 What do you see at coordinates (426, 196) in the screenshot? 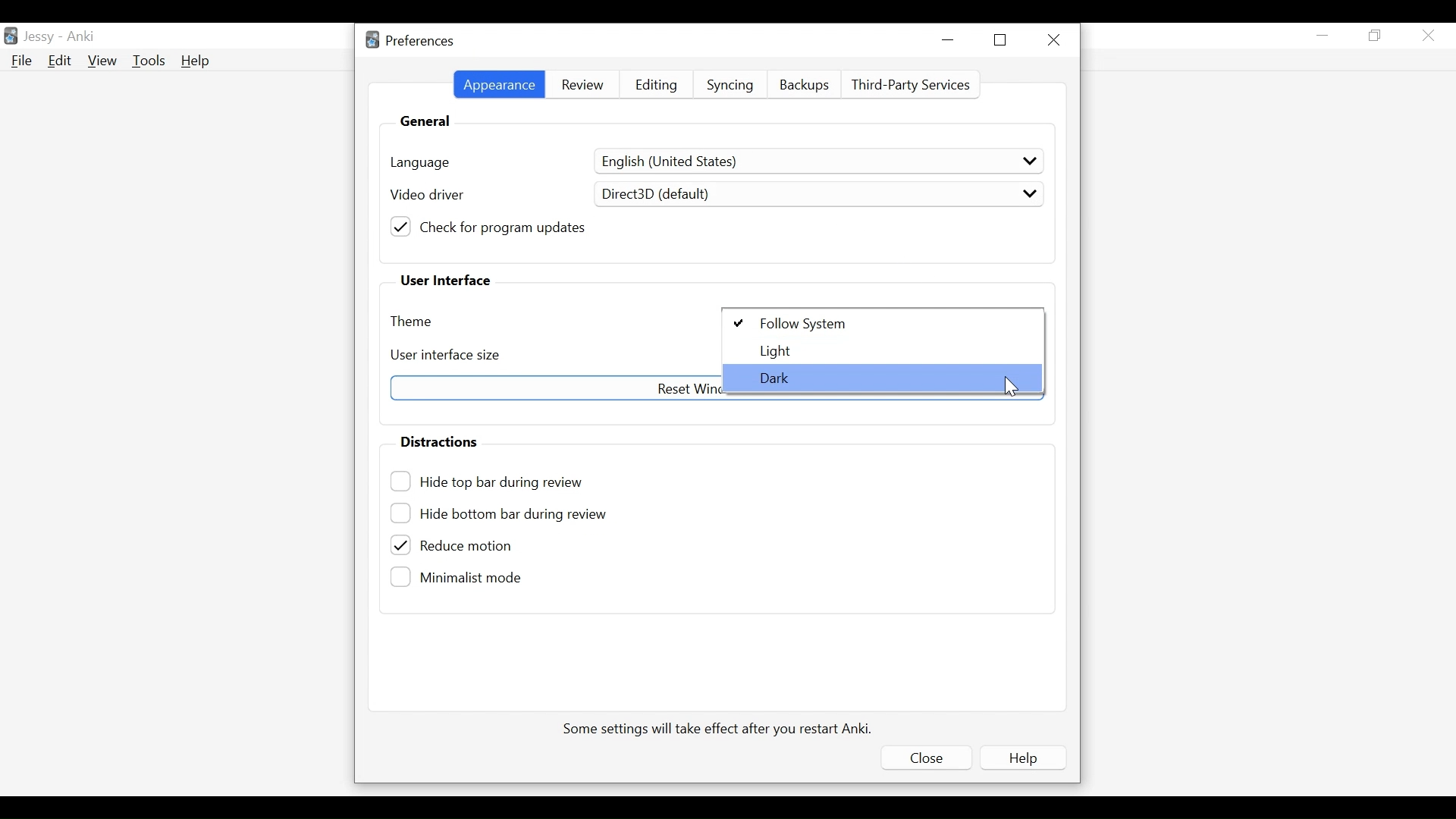
I see `Video driver` at bounding box center [426, 196].